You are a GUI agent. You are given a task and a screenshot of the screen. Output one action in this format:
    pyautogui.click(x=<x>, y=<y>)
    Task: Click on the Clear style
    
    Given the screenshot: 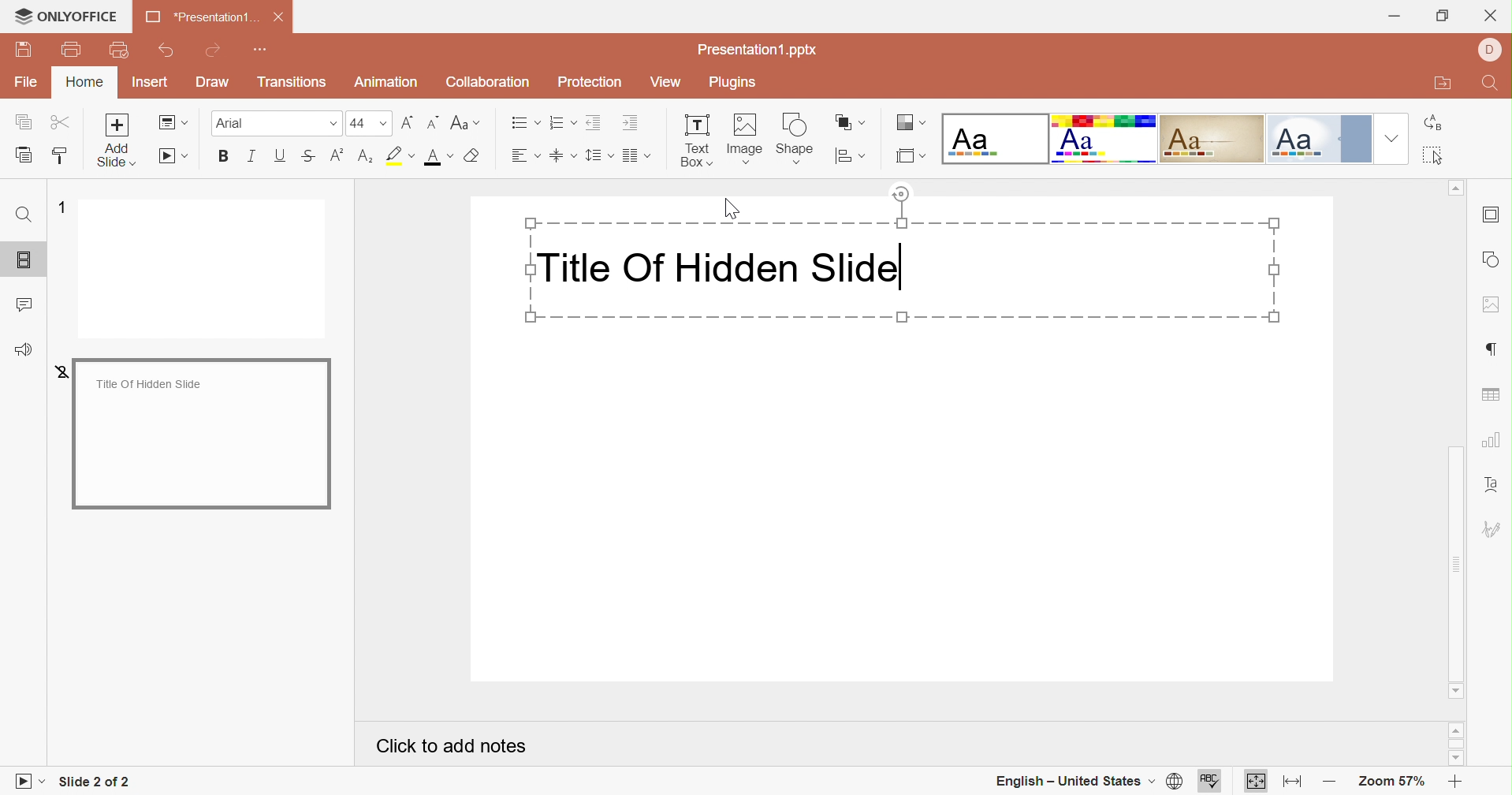 What is the action you would take?
    pyautogui.click(x=474, y=155)
    